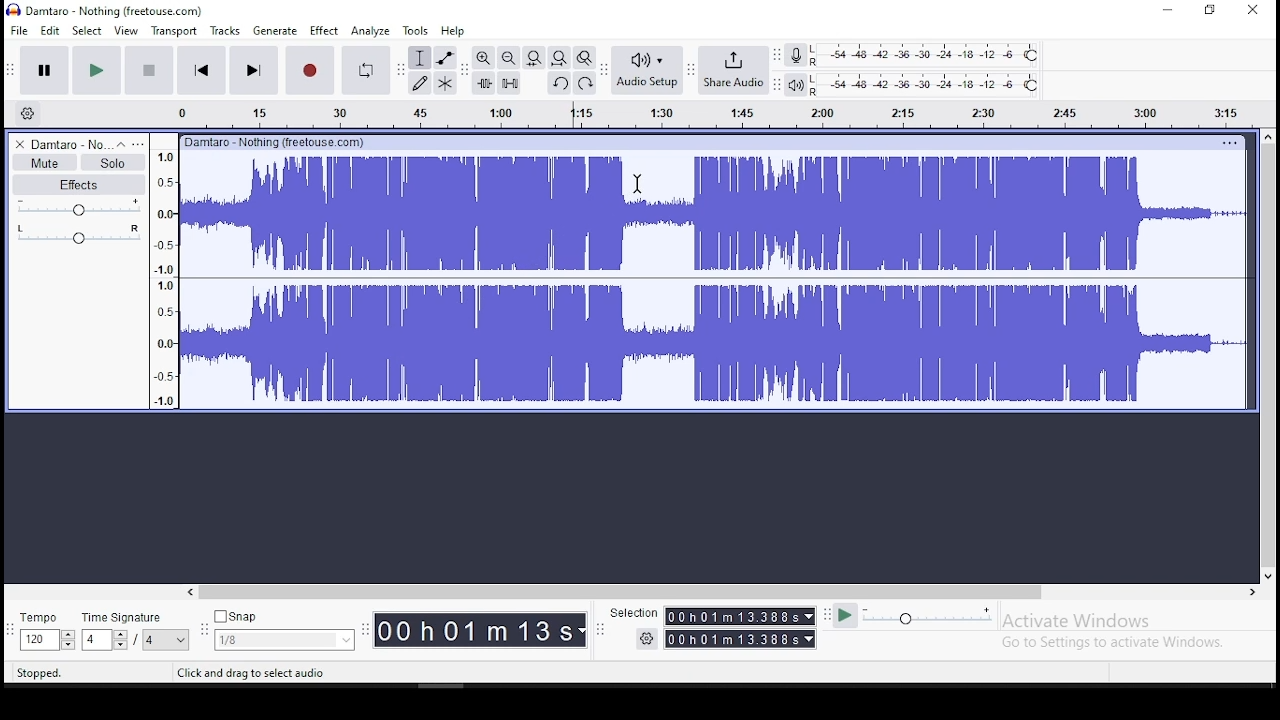 The height and width of the screenshot is (720, 1280). Describe the element at coordinates (484, 82) in the screenshot. I see `trim audio outside selection` at that location.